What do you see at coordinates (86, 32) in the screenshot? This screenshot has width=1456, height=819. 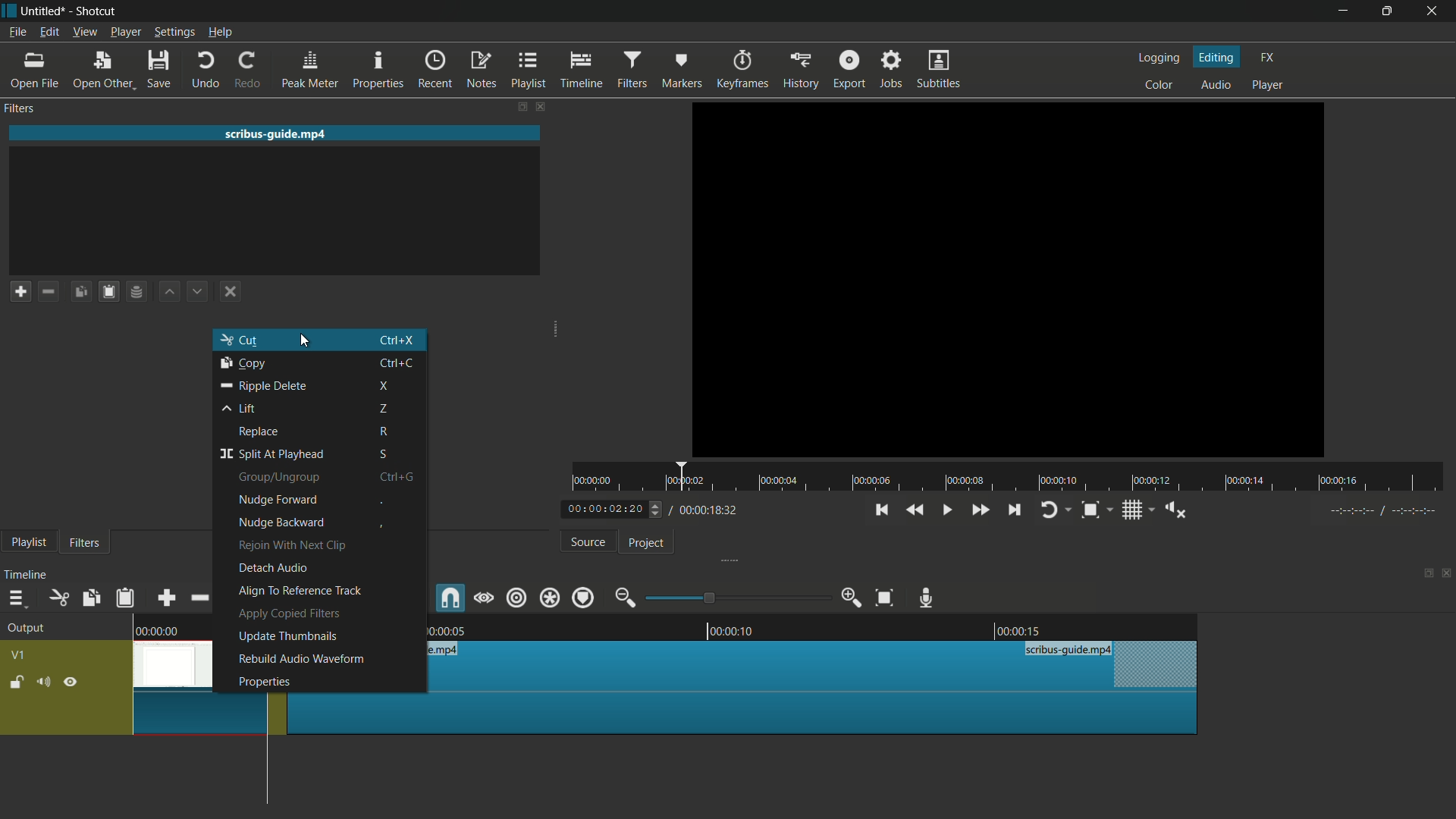 I see `view menu` at bounding box center [86, 32].